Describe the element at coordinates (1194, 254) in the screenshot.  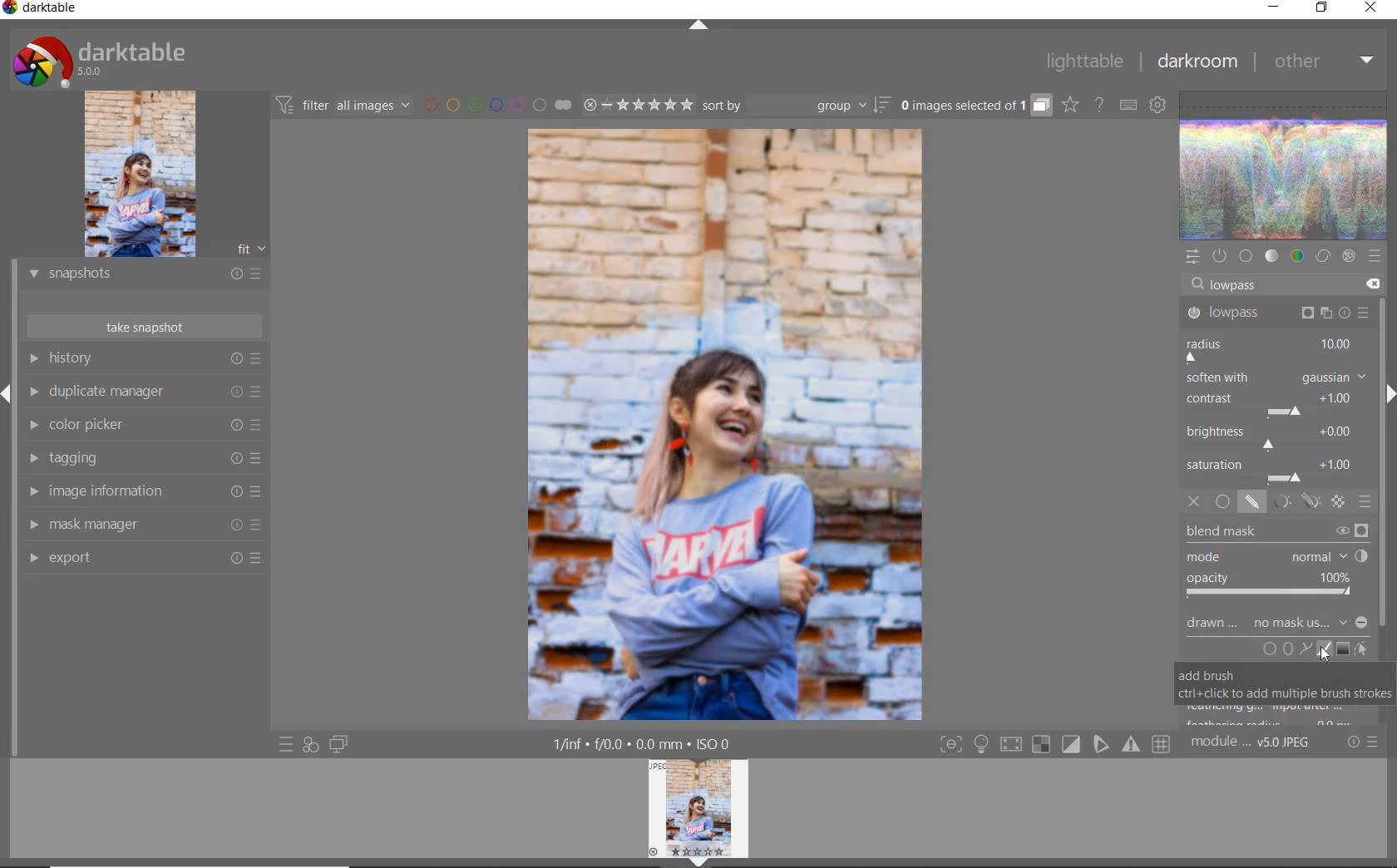
I see `quick access panel` at that location.